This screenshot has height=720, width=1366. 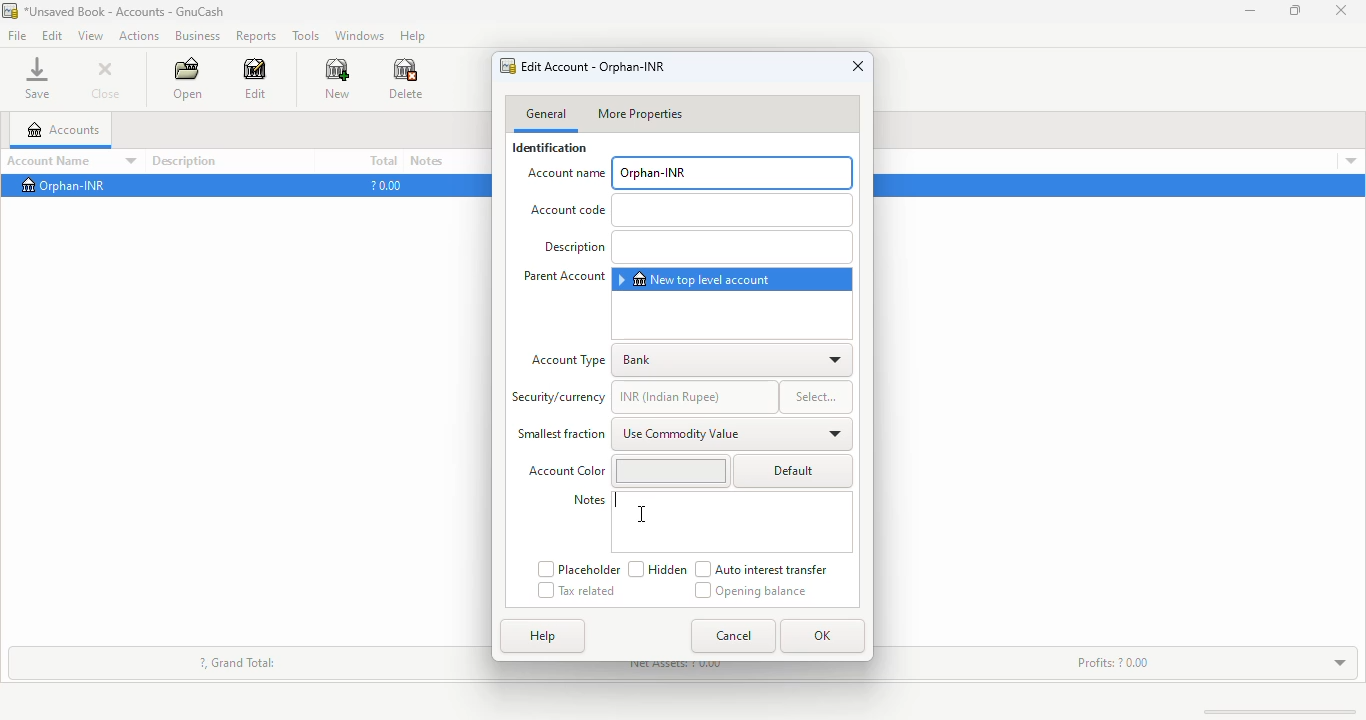 I want to click on cancel, so click(x=732, y=636).